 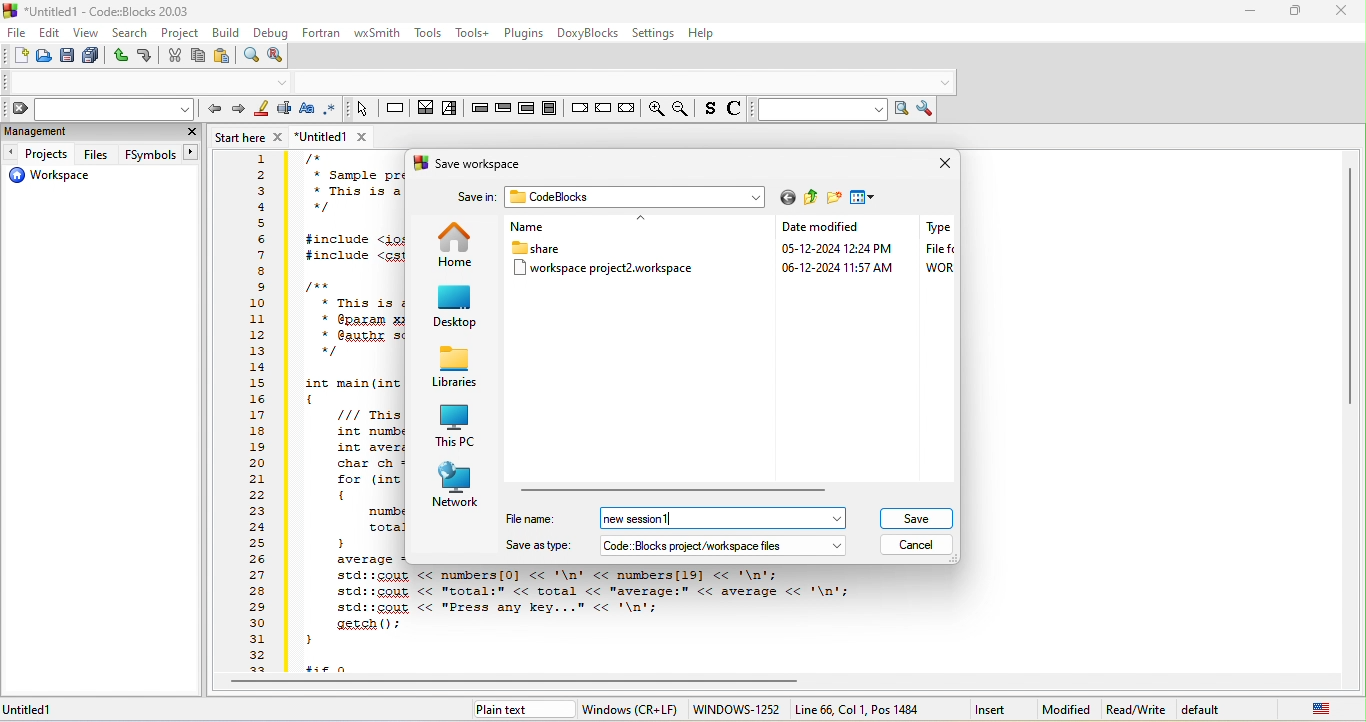 I want to click on insert, so click(x=991, y=710).